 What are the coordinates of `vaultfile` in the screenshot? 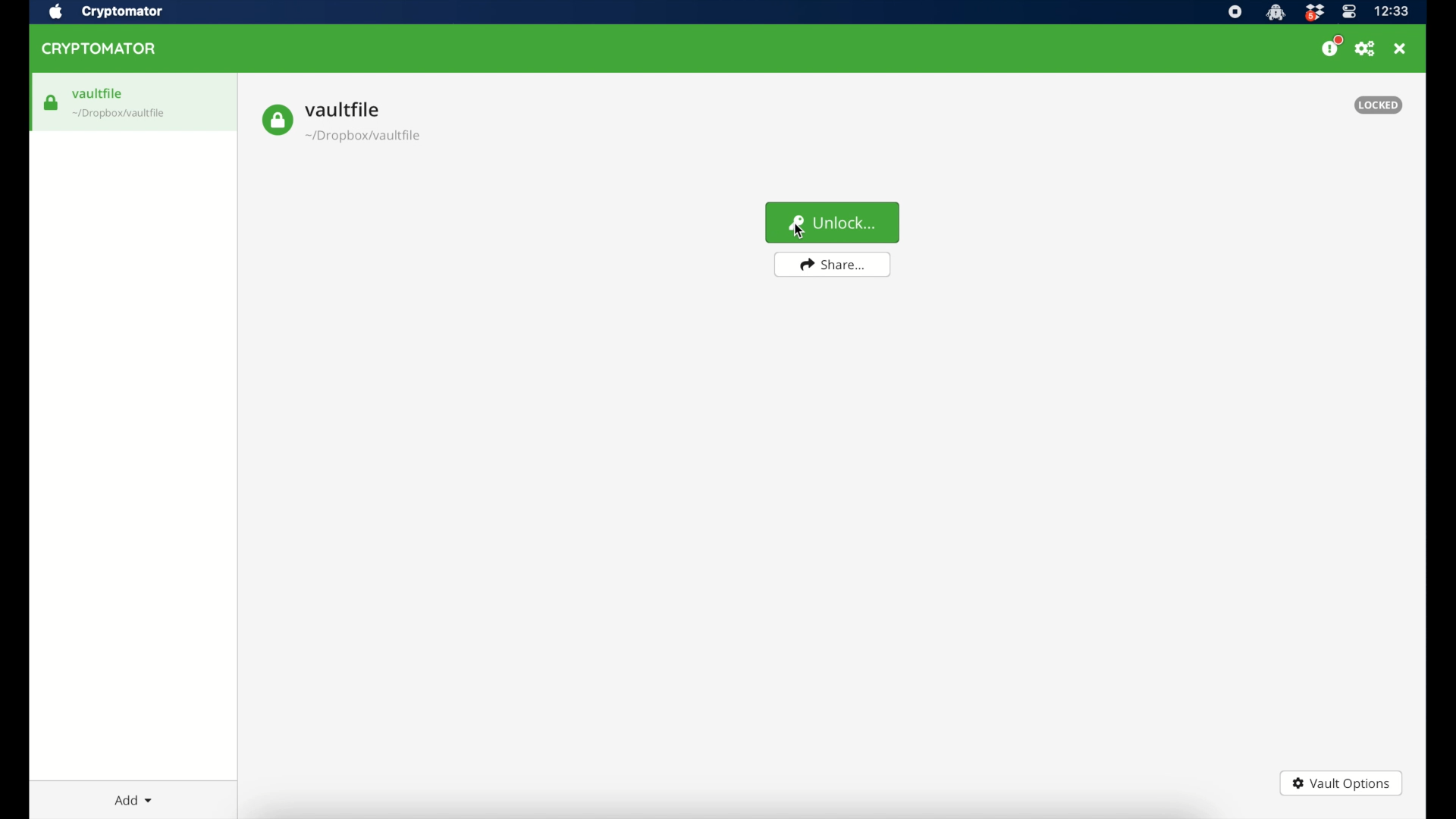 It's located at (133, 102).